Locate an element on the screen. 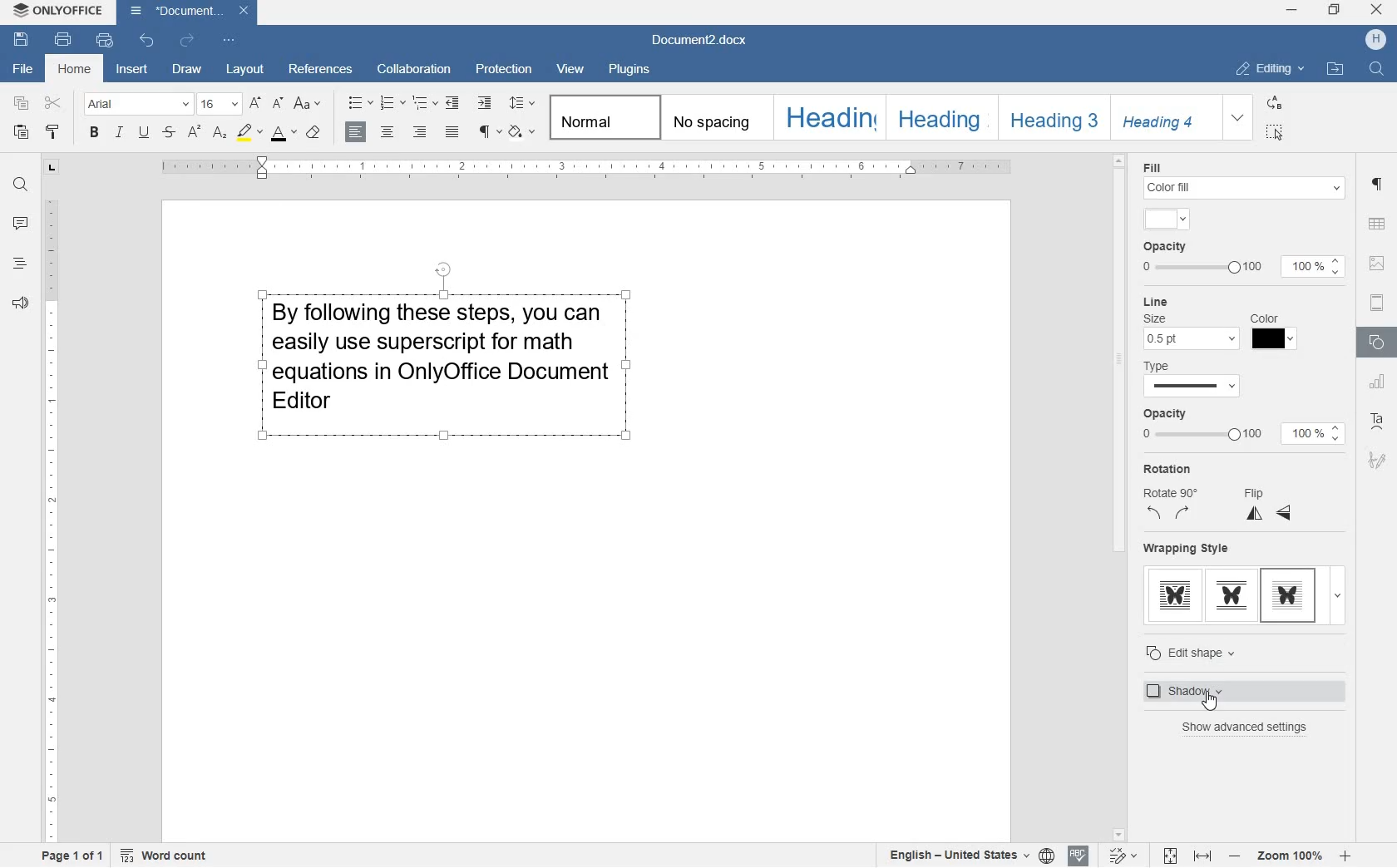 The height and width of the screenshot is (868, 1397). multilevel list is located at coordinates (426, 103).